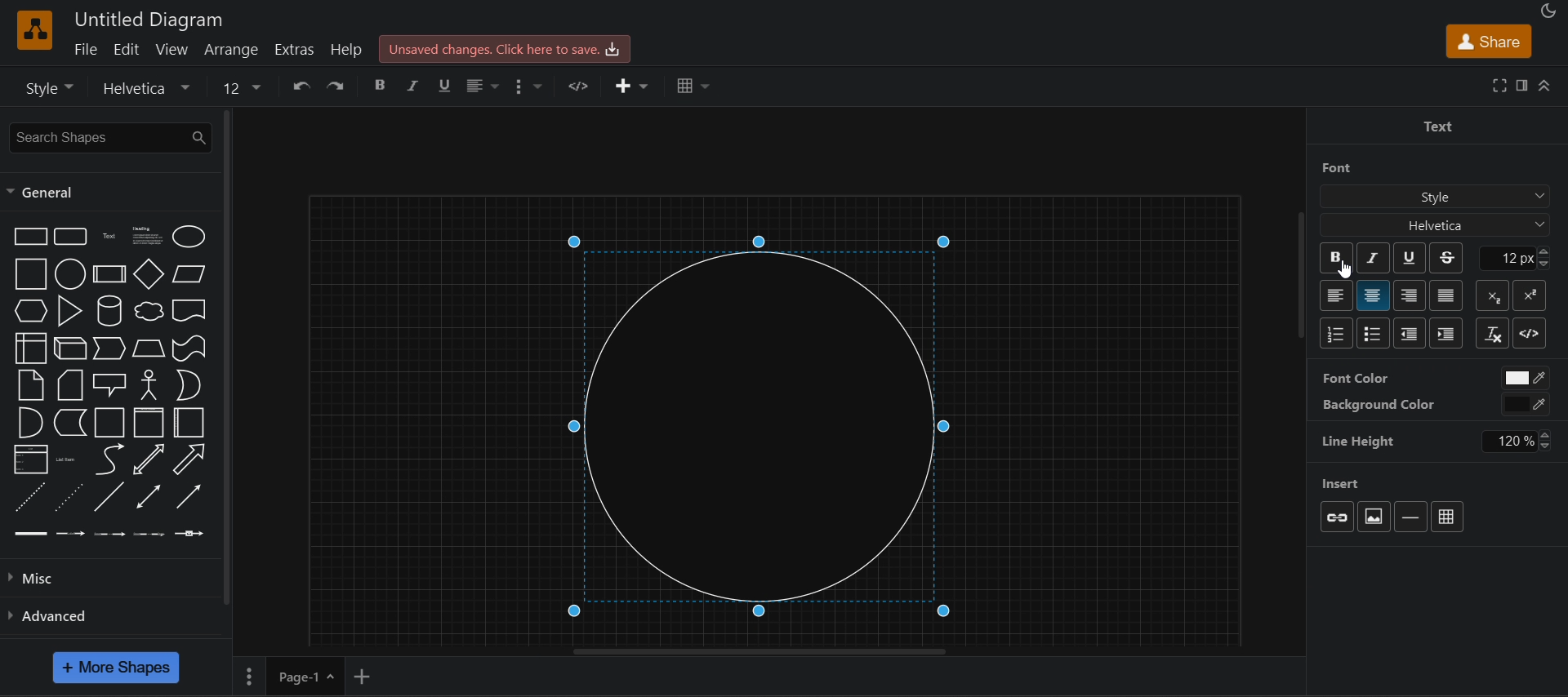  I want to click on numbered list, so click(1338, 332).